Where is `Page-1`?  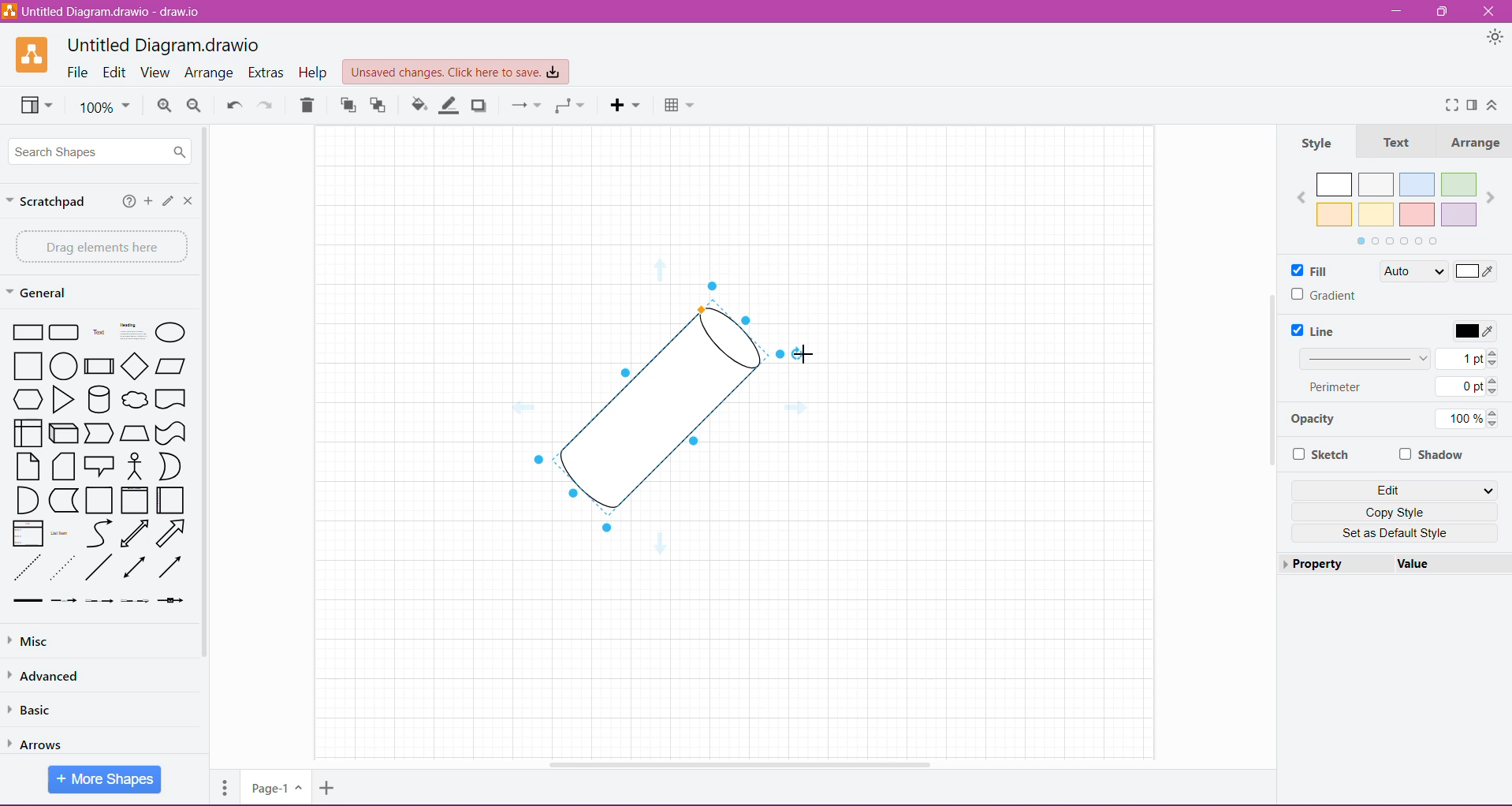 Page-1 is located at coordinates (274, 788).